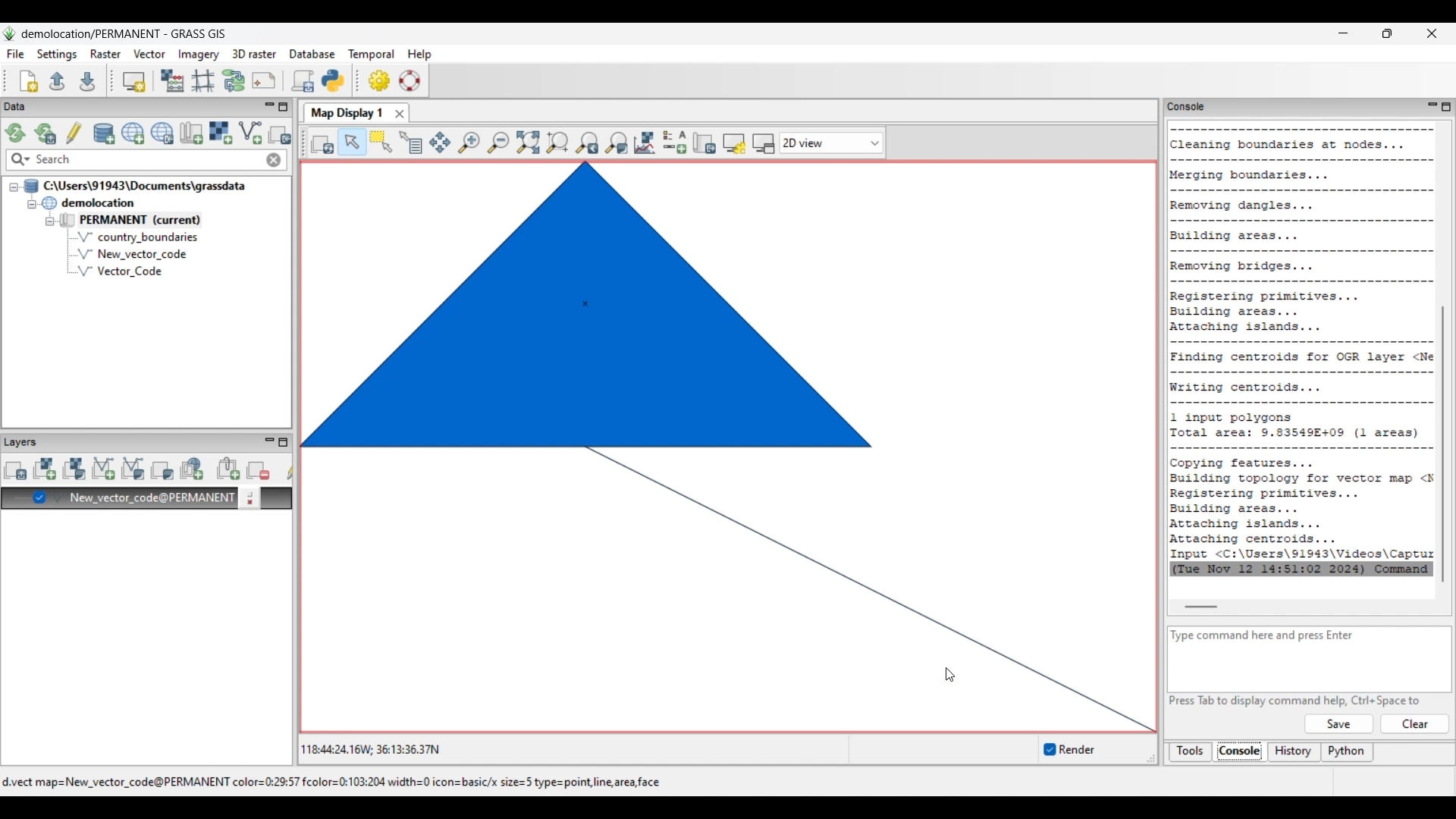 The image size is (1456, 819). Describe the element at coordinates (143, 499) in the screenshot. I see `New layer added with new file` at that location.